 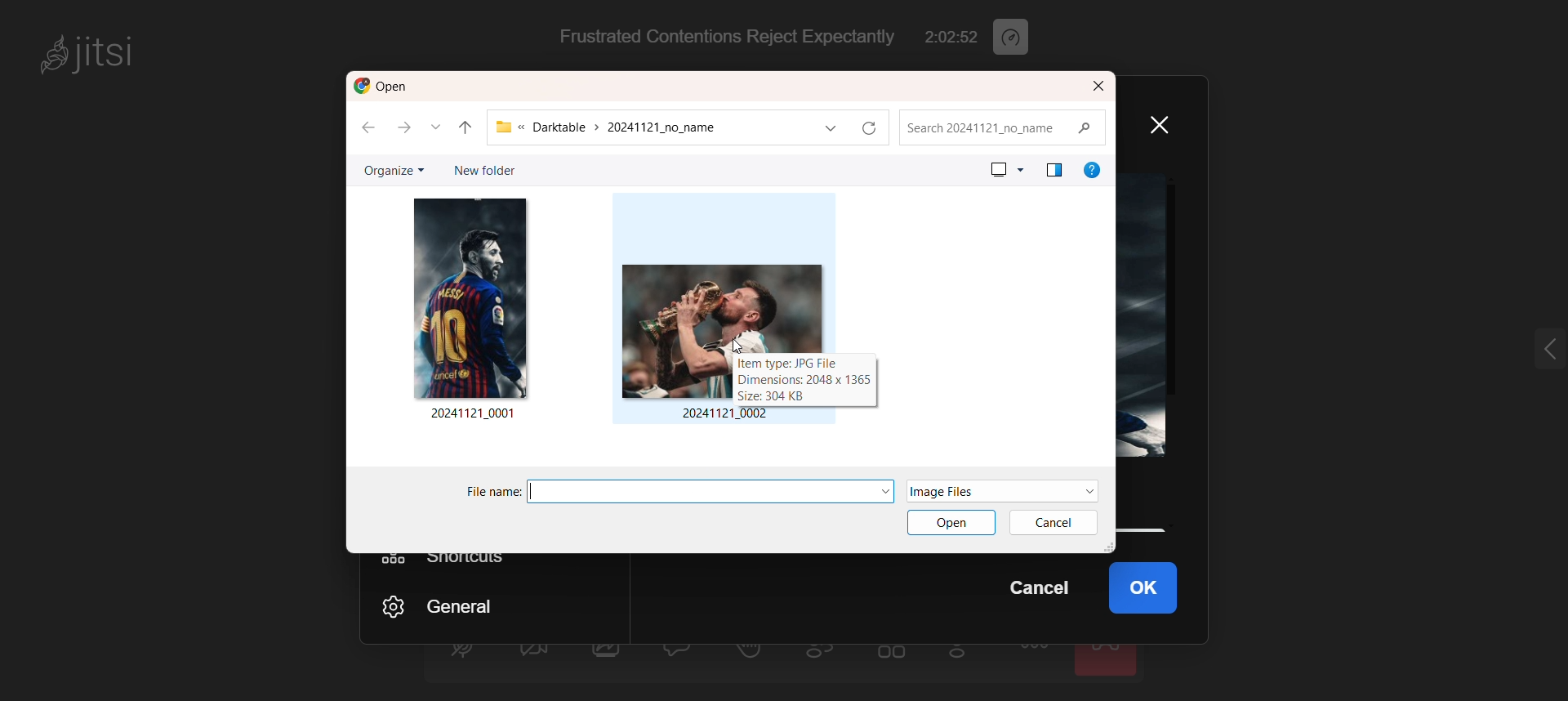 What do you see at coordinates (691, 492) in the screenshot?
I see `file name` at bounding box center [691, 492].